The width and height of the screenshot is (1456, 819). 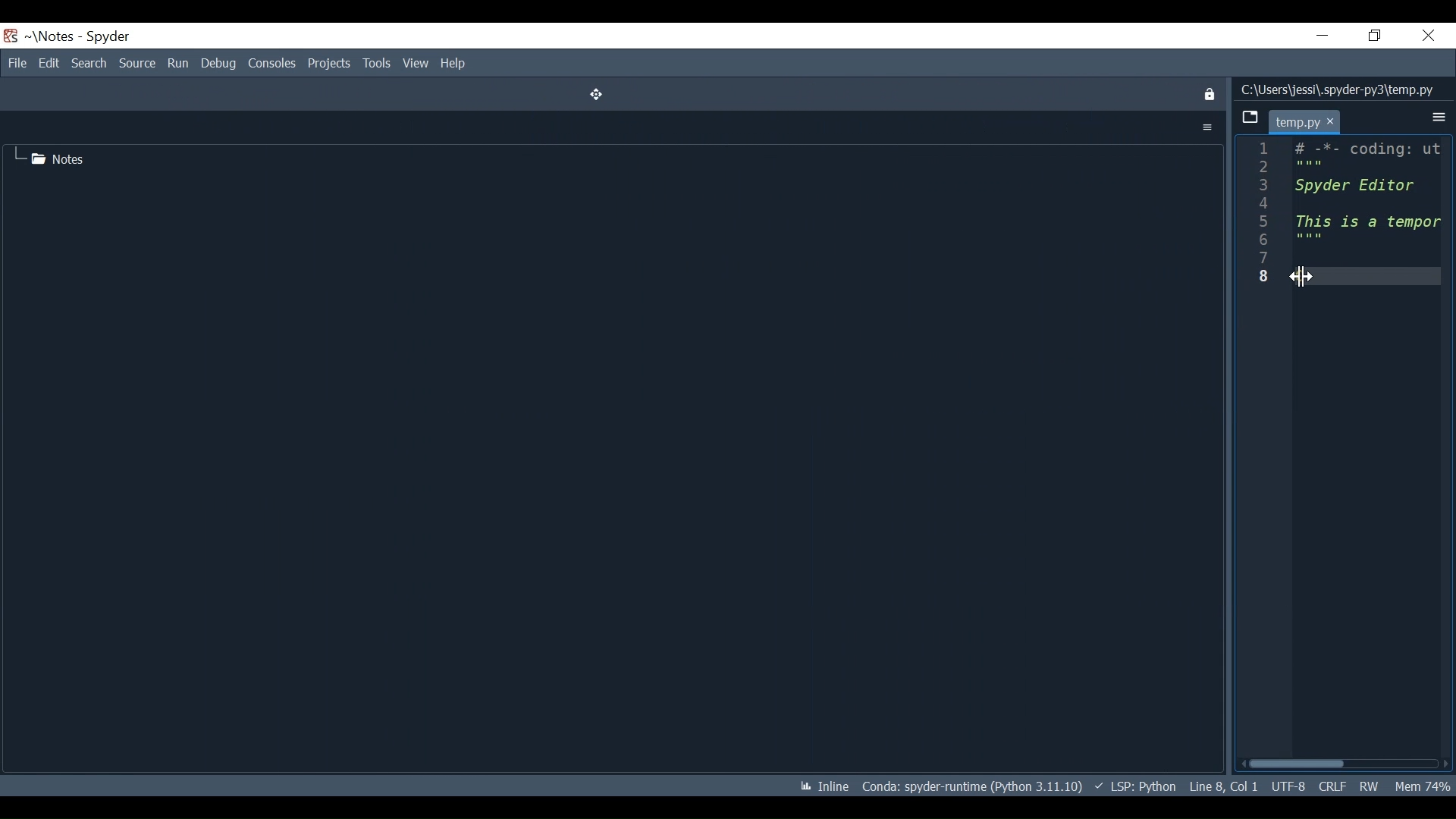 I want to click on Spyder Icon, so click(x=11, y=36).